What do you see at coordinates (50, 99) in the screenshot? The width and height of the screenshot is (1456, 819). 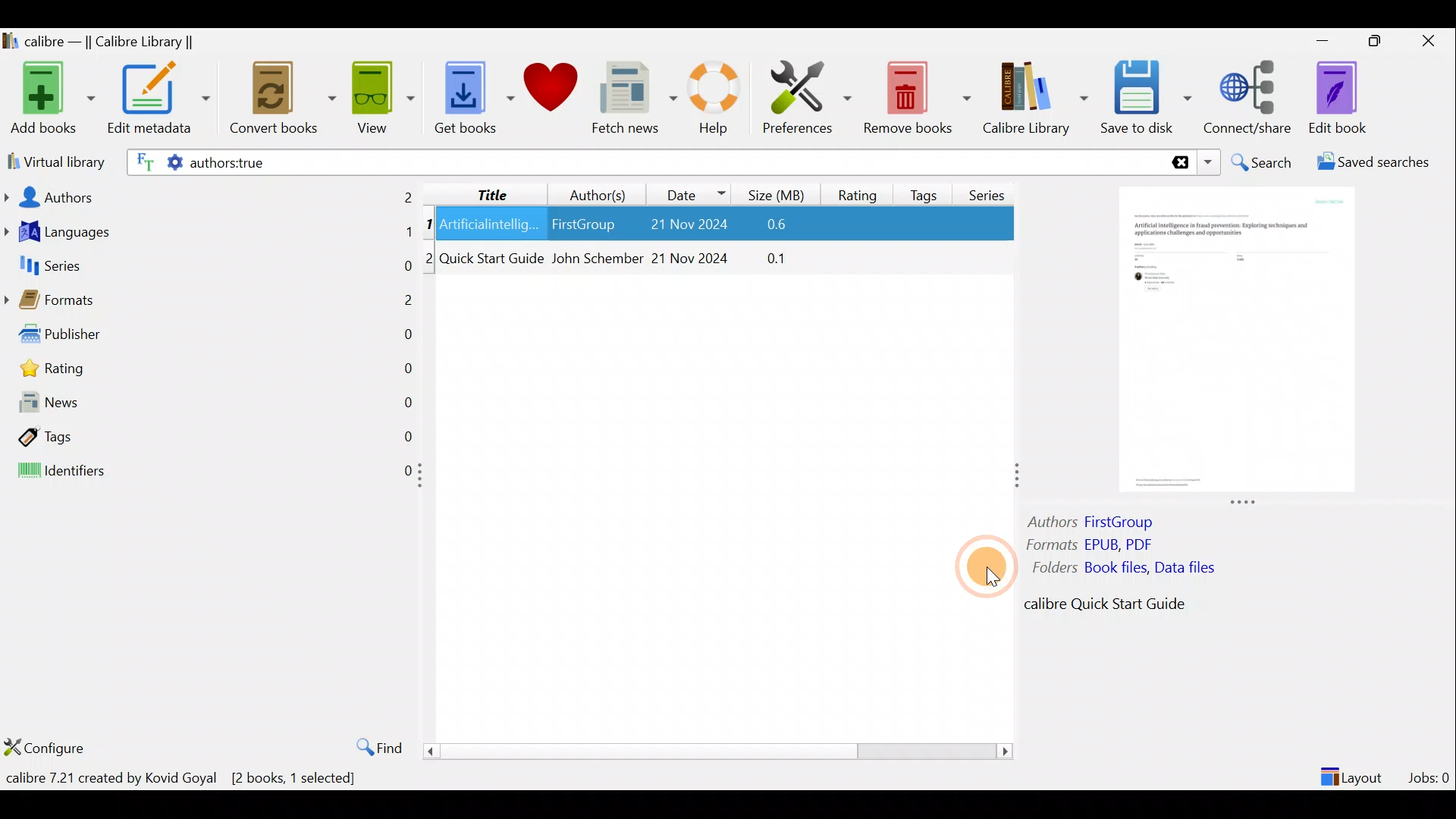 I see `Add books` at bounding box center [50, 99].